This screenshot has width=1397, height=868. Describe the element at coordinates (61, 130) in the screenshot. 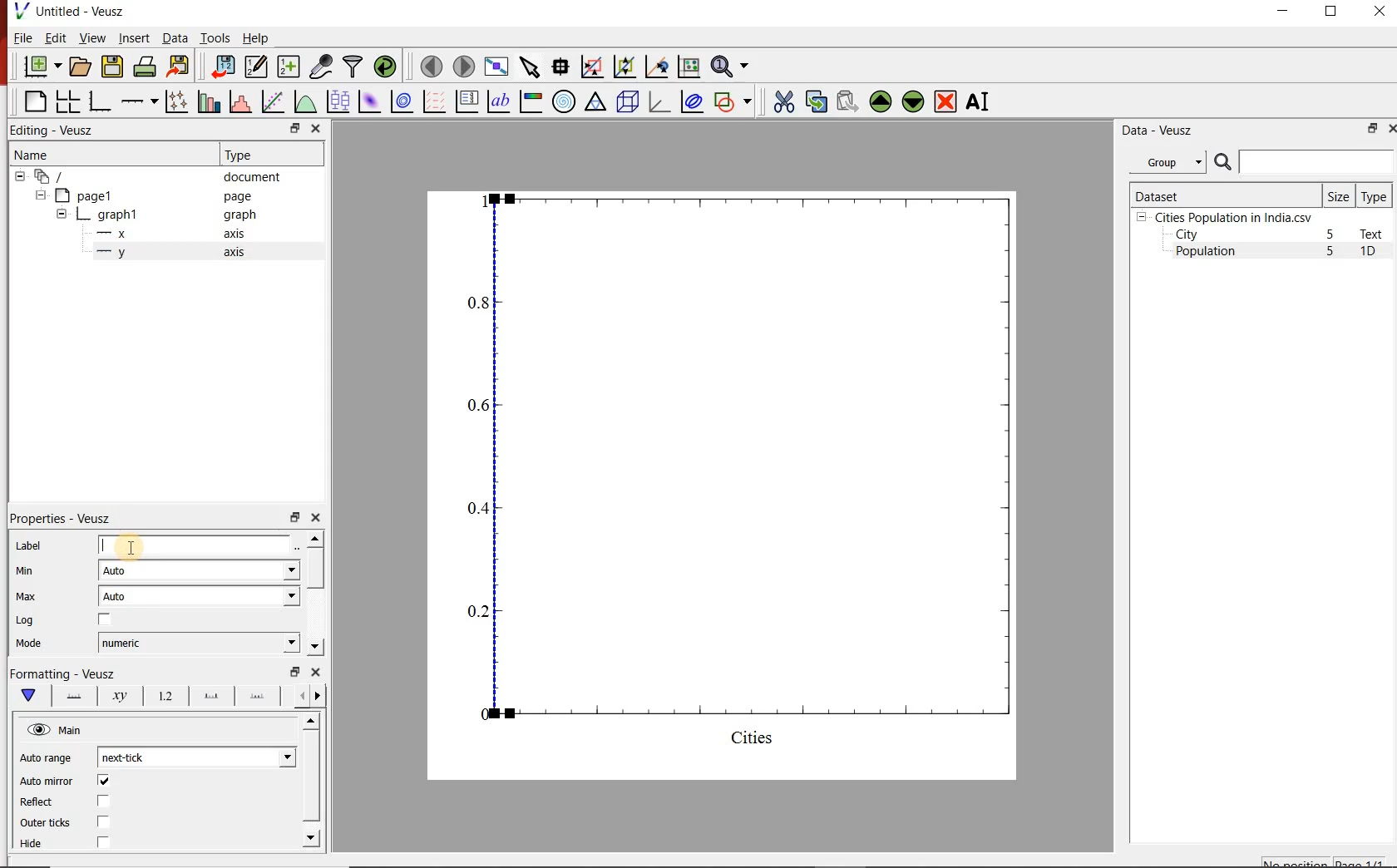

I see `Editing - Veusz` at that location.